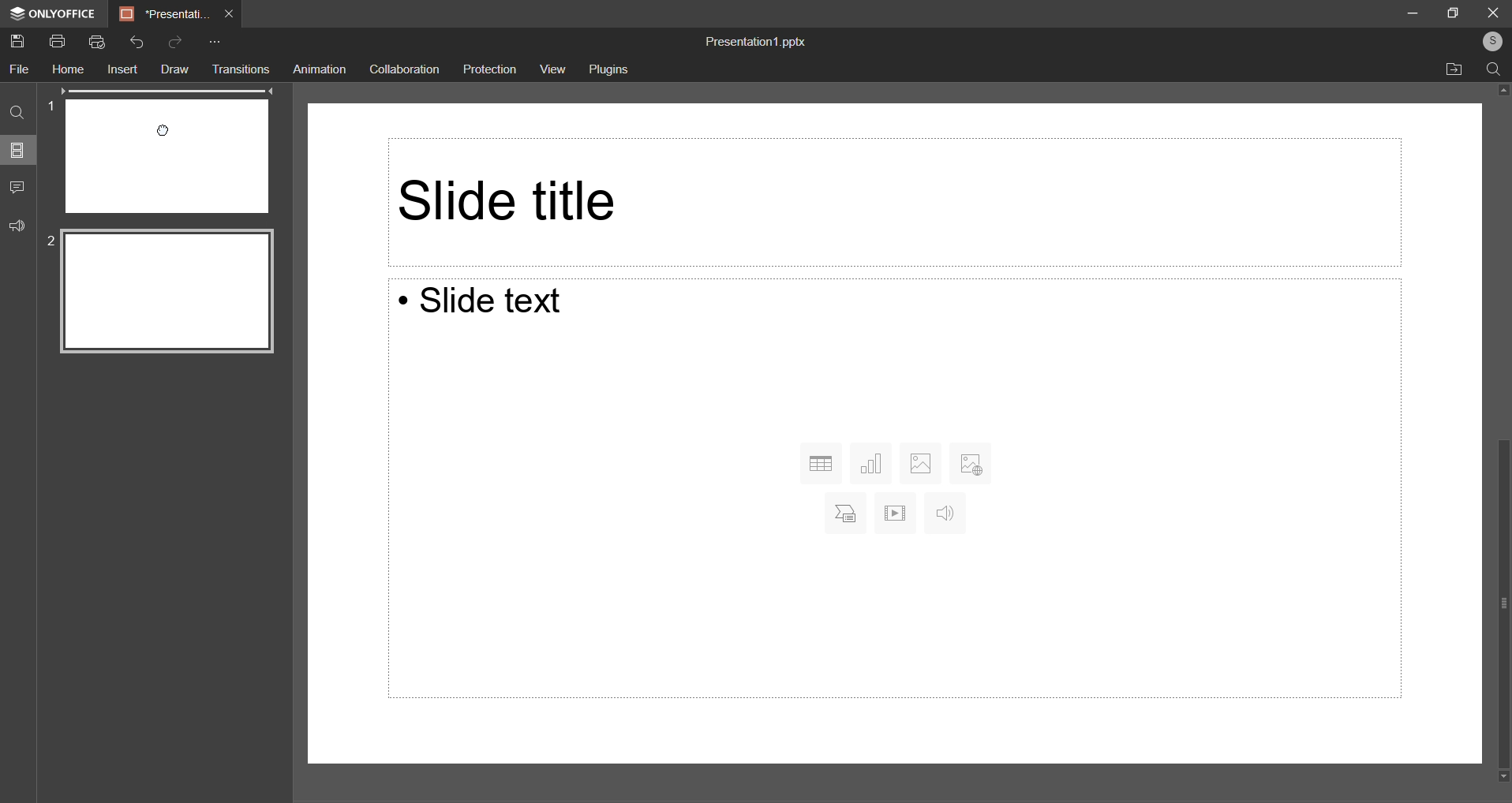  Describe the element at coordinates (971, 461) in the screenshot. I see `Image from URL` at that location.